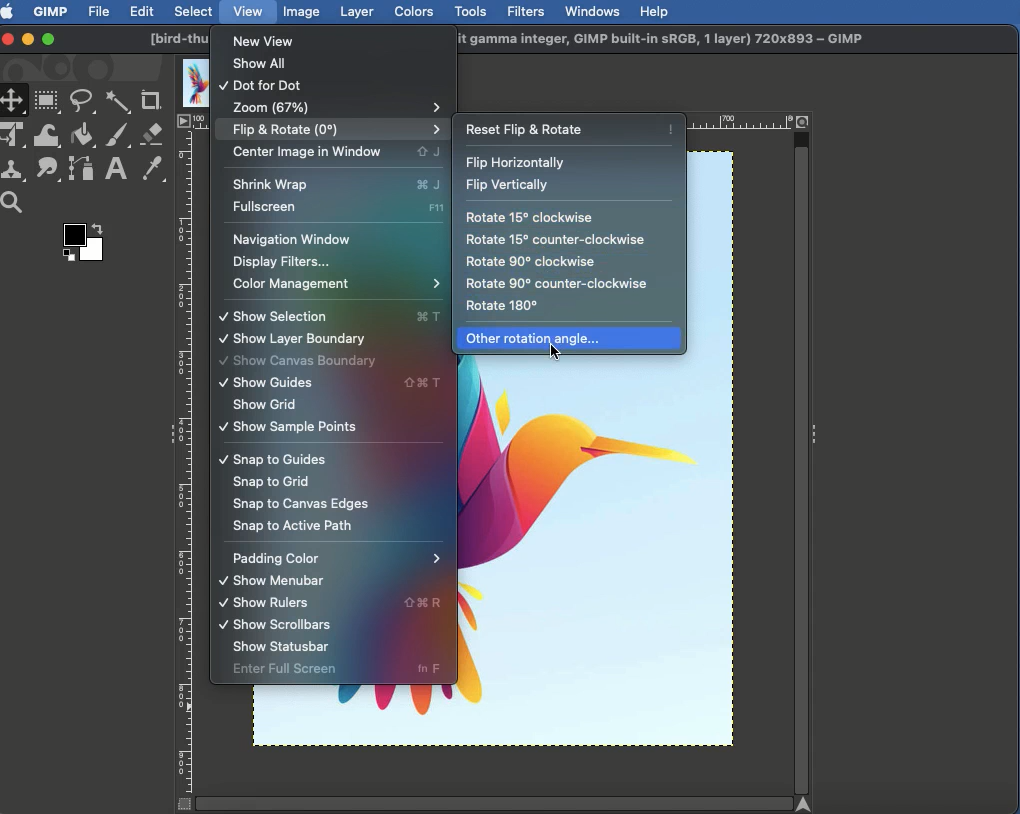 This screenshot has width=1020, height=814. What do you see at coordinates (265, 405) in the screenshot?
I see `Show grid` at bounding box center [265, 405].